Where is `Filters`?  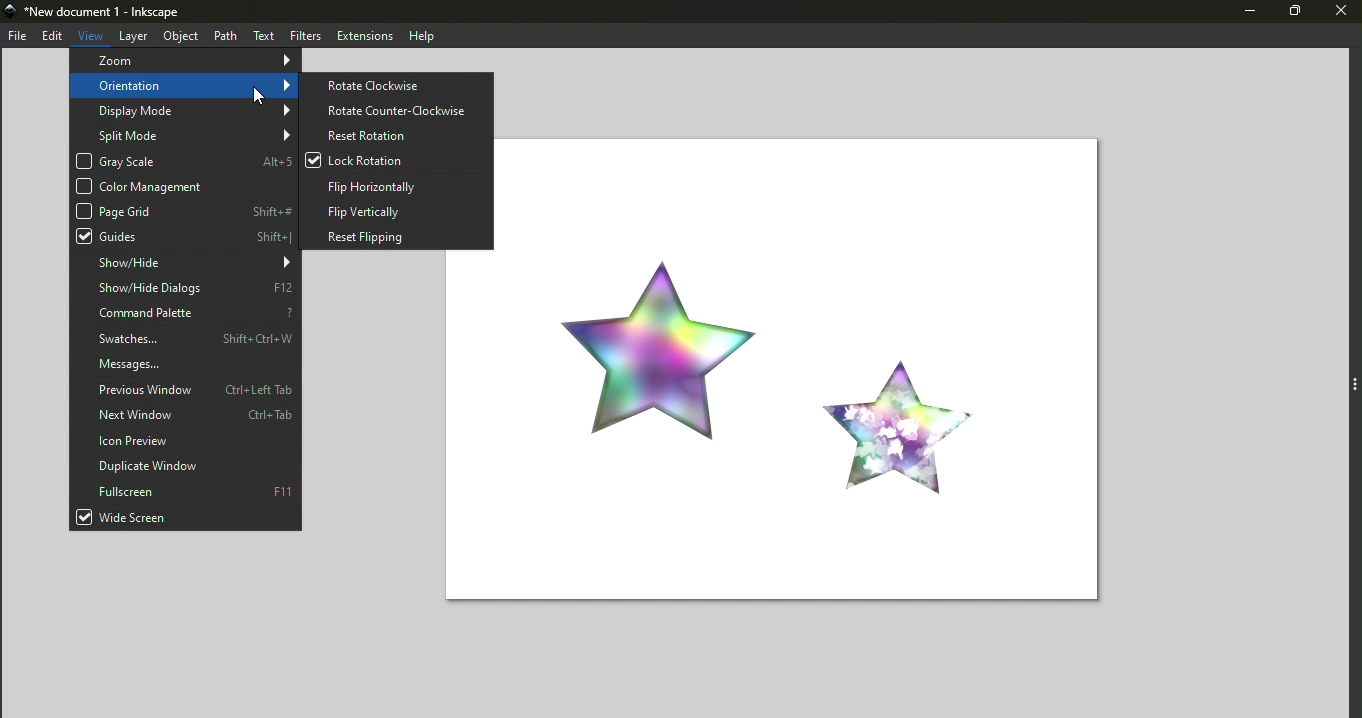
Filters is located at coordinates (302, 35).